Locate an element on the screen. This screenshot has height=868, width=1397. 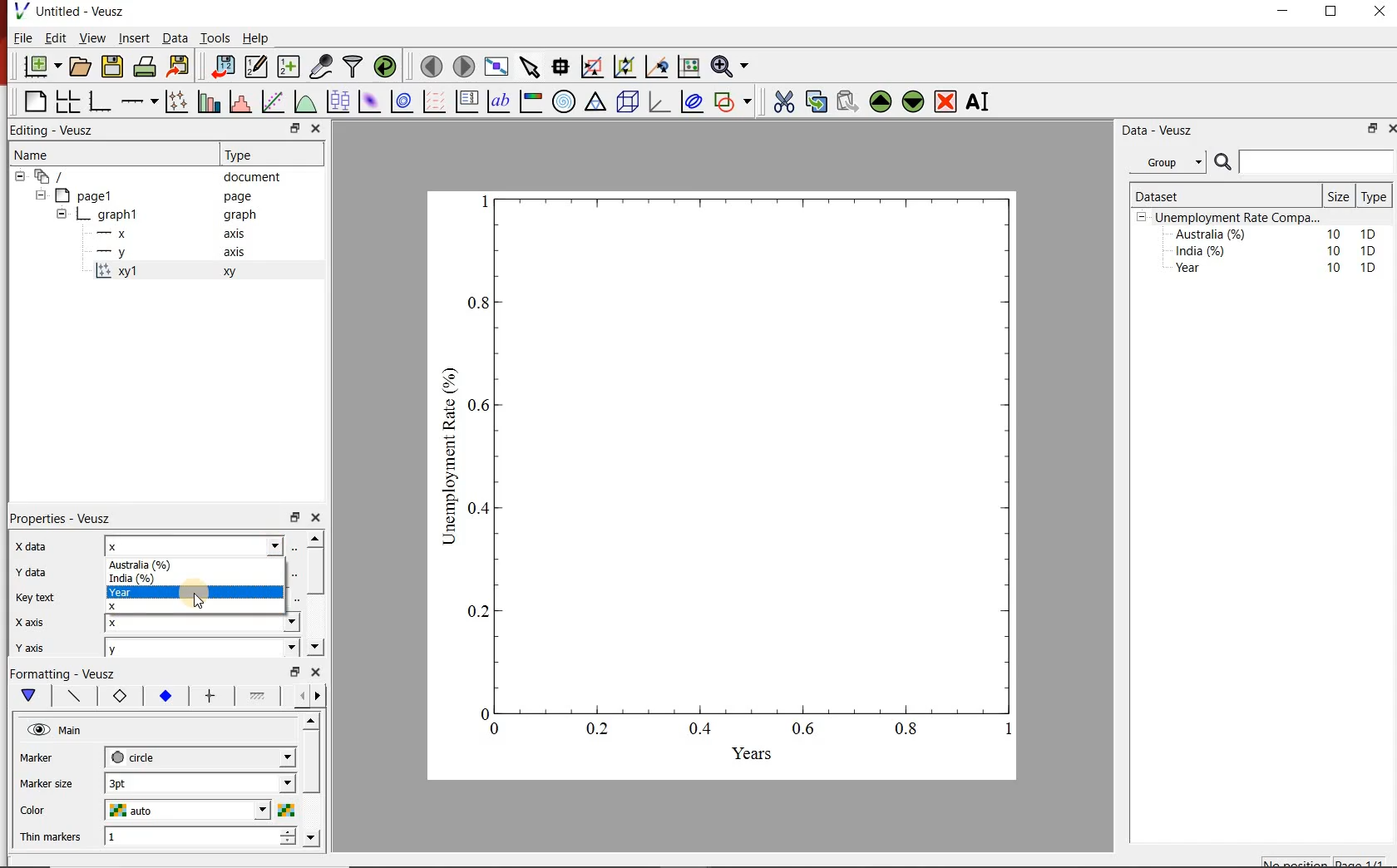
Formatting - Veusz is located at coordinates (62, 672).